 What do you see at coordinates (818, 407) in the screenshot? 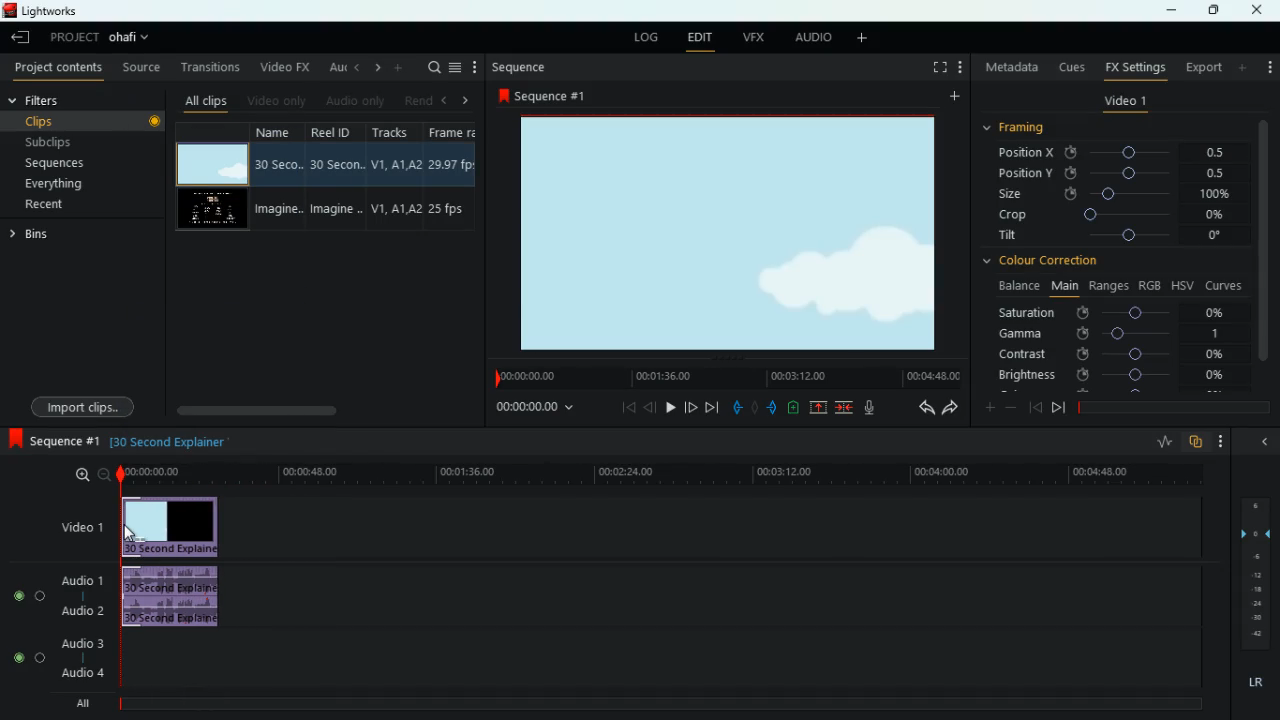
I see `up` at bounding box center [818, 407].